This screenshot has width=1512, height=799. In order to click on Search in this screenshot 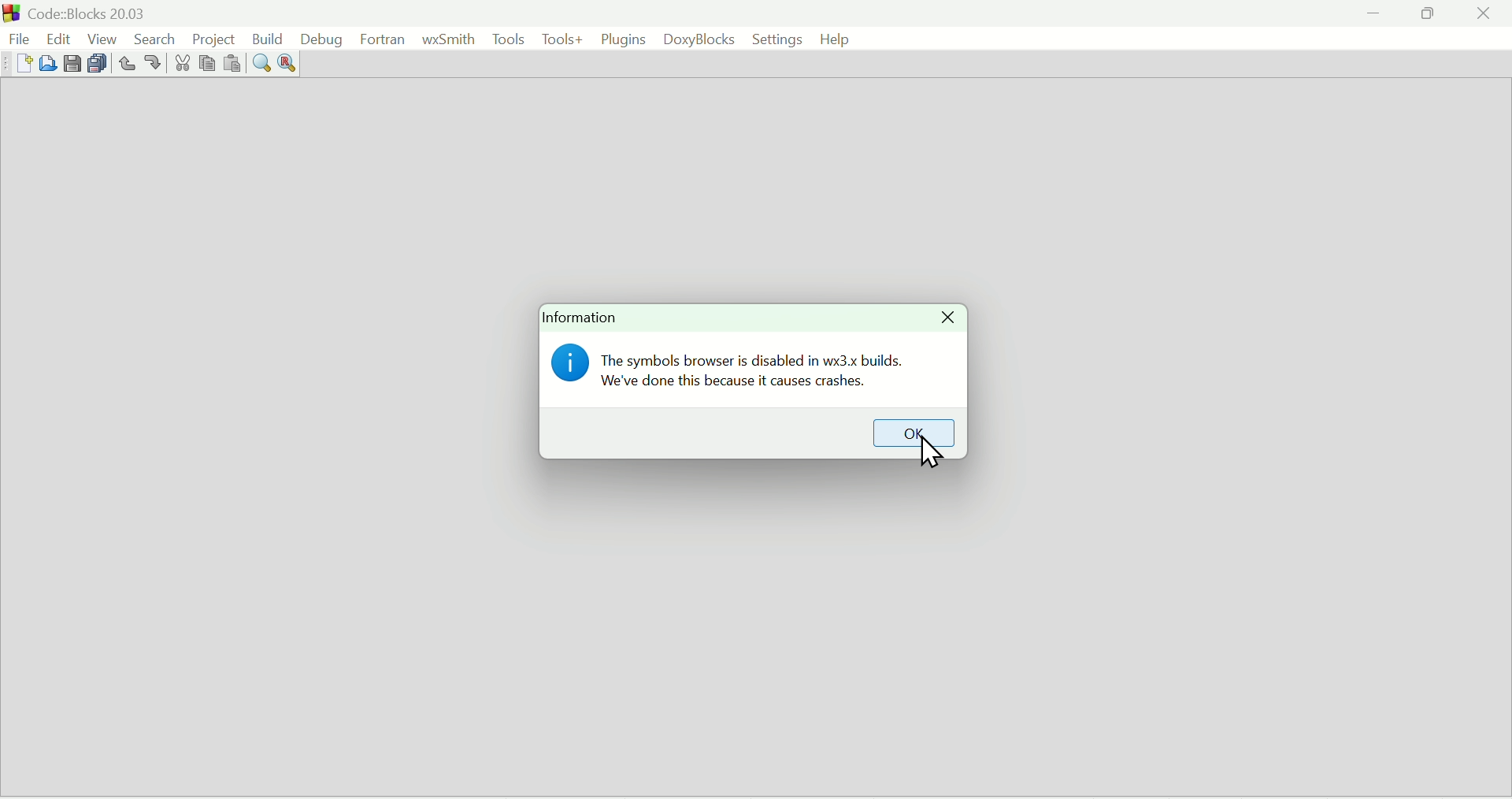, I will do `click(152, 38)`.